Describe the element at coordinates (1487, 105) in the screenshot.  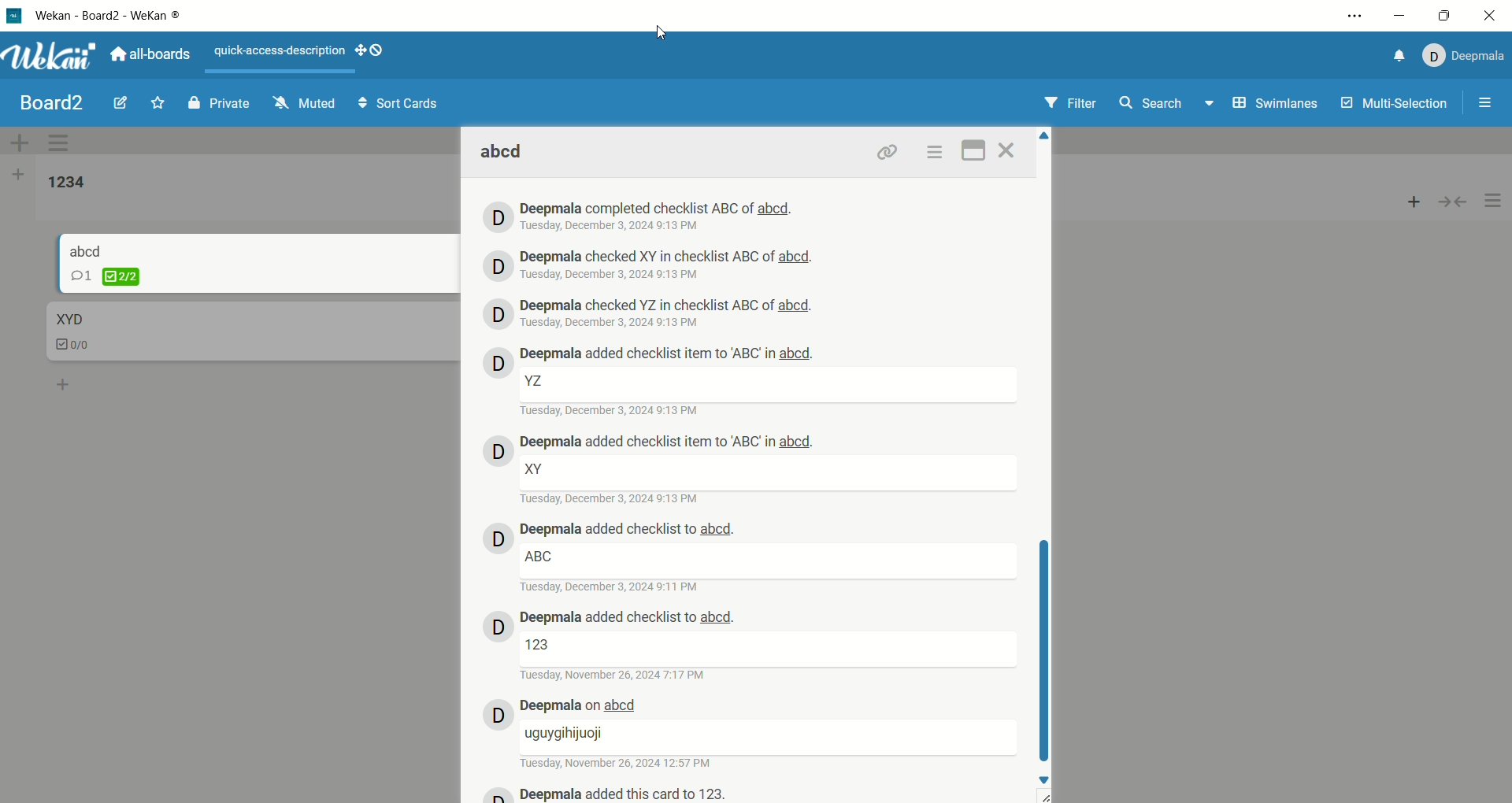
I see `options` at that location.